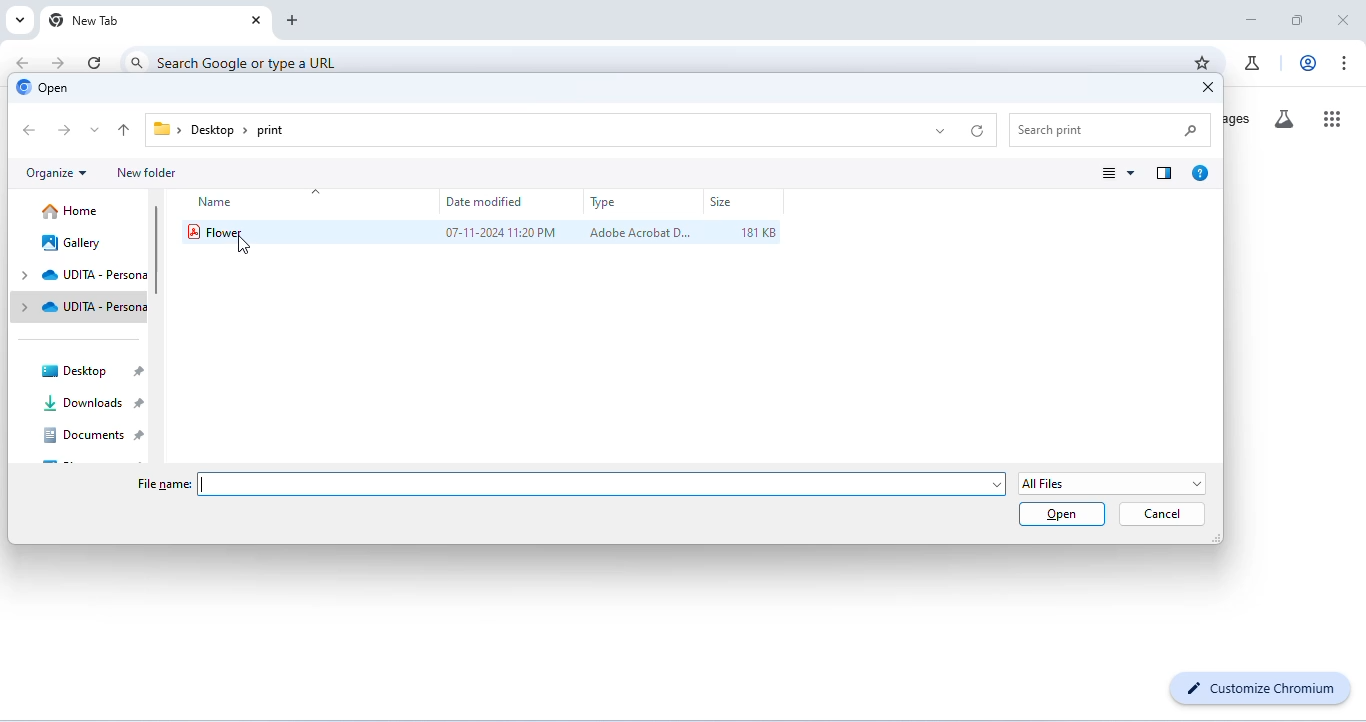  Describe the element at coordinates (1113, 128) in the screenshot. I see `search within current folder` at that location.